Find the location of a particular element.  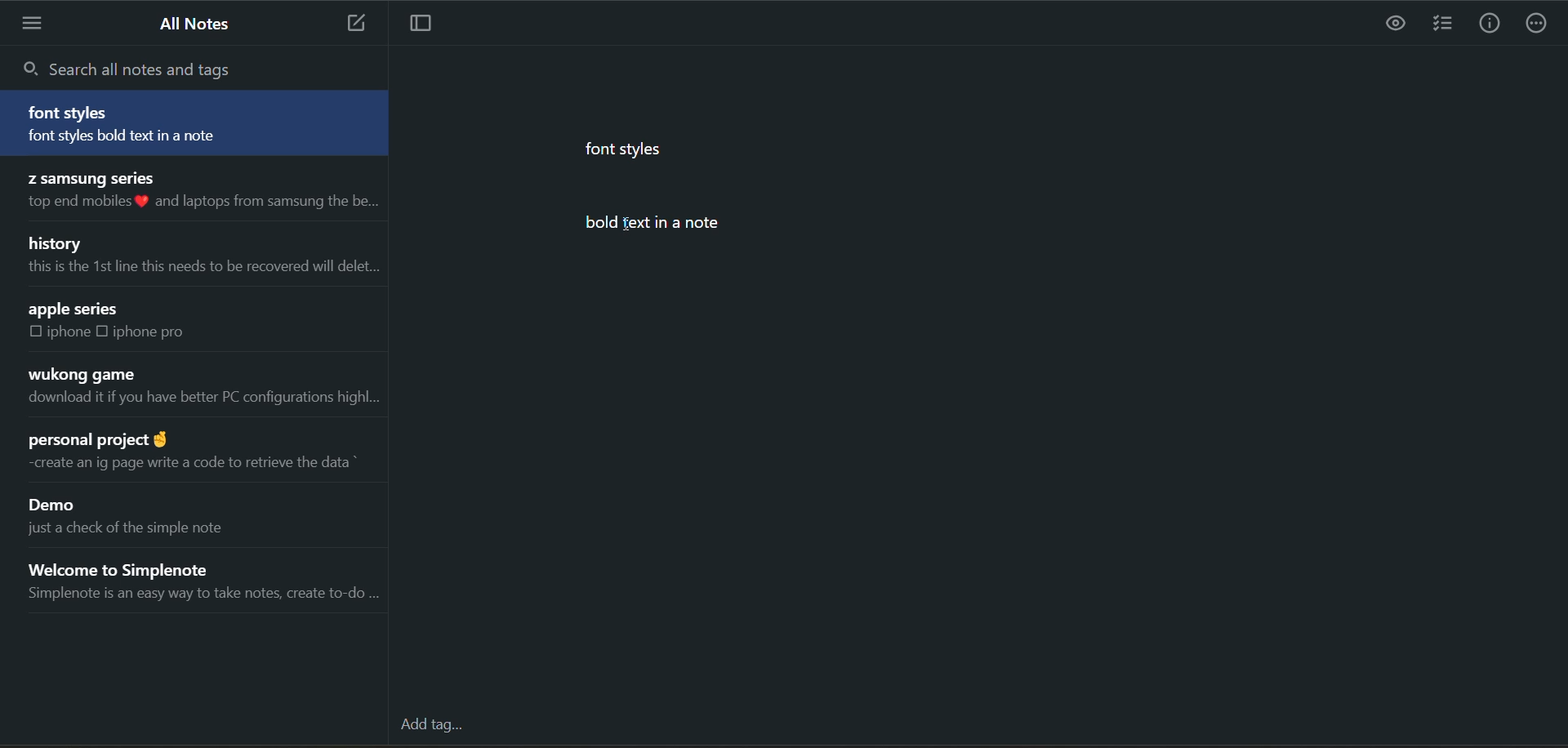

preview is located at coordinates (1397, 24).